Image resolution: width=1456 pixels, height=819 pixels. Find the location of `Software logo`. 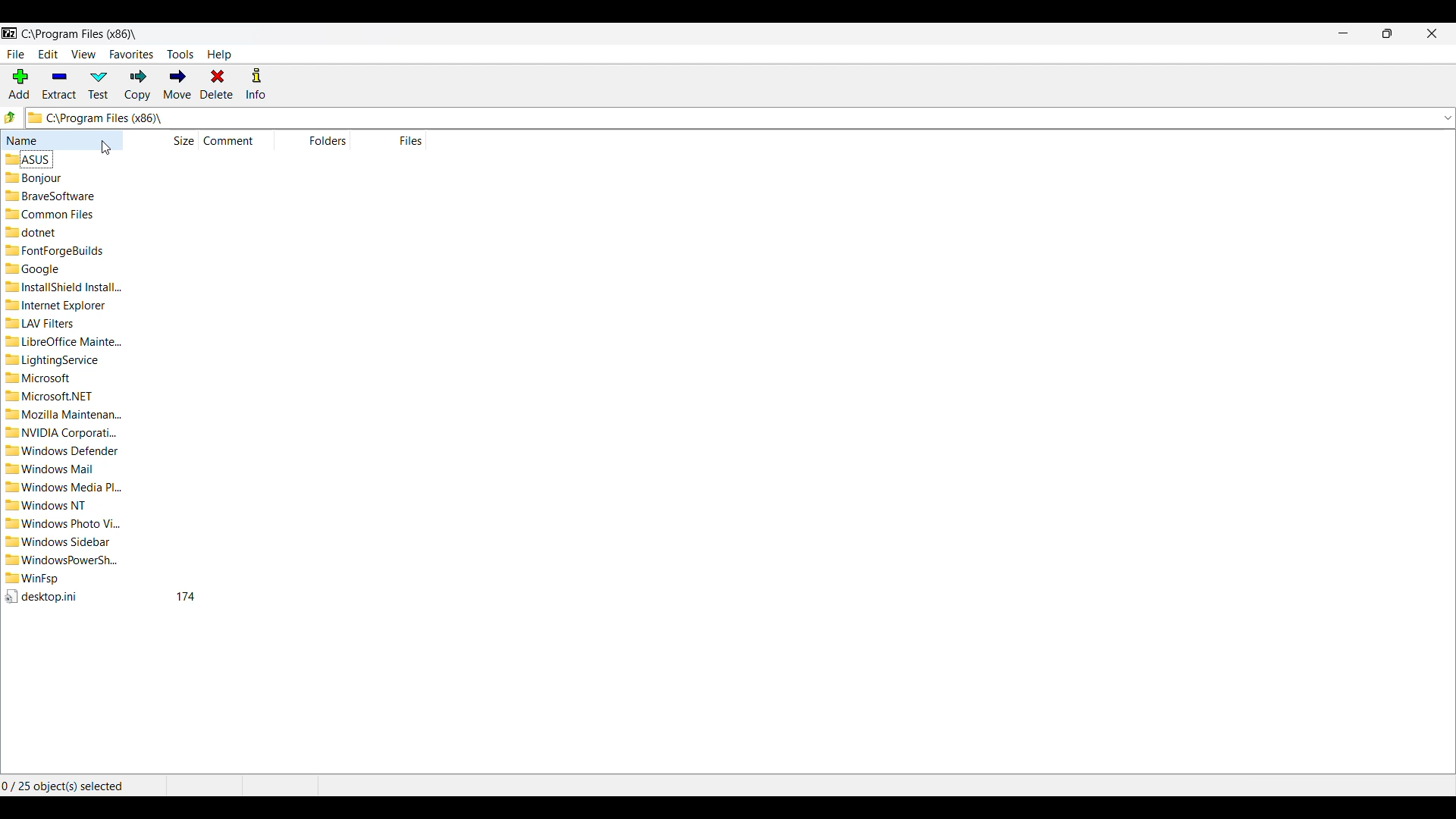

Software logo is located at coordinates (10, 33).